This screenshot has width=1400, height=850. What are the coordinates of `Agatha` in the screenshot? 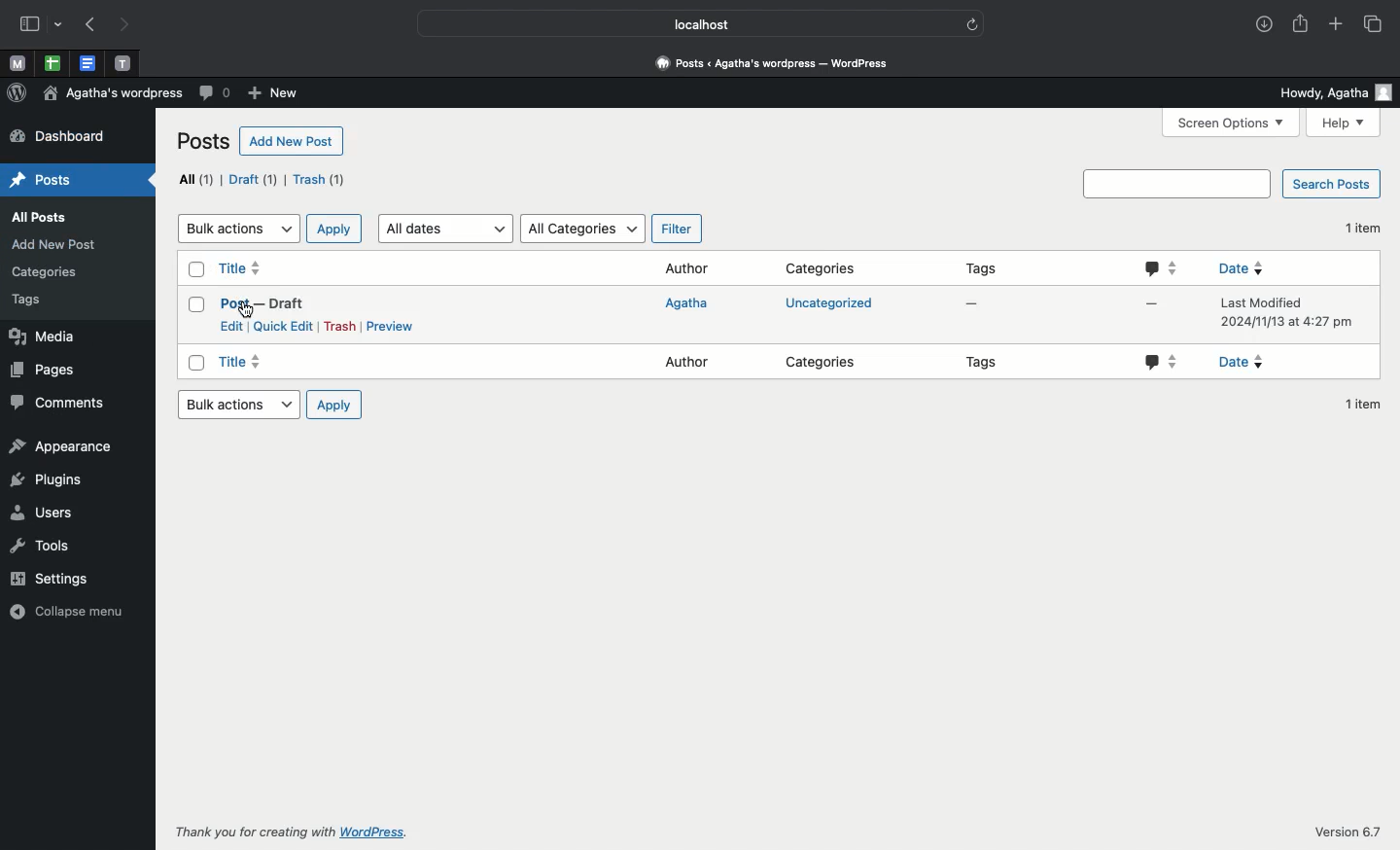 It's located at (701, 306).